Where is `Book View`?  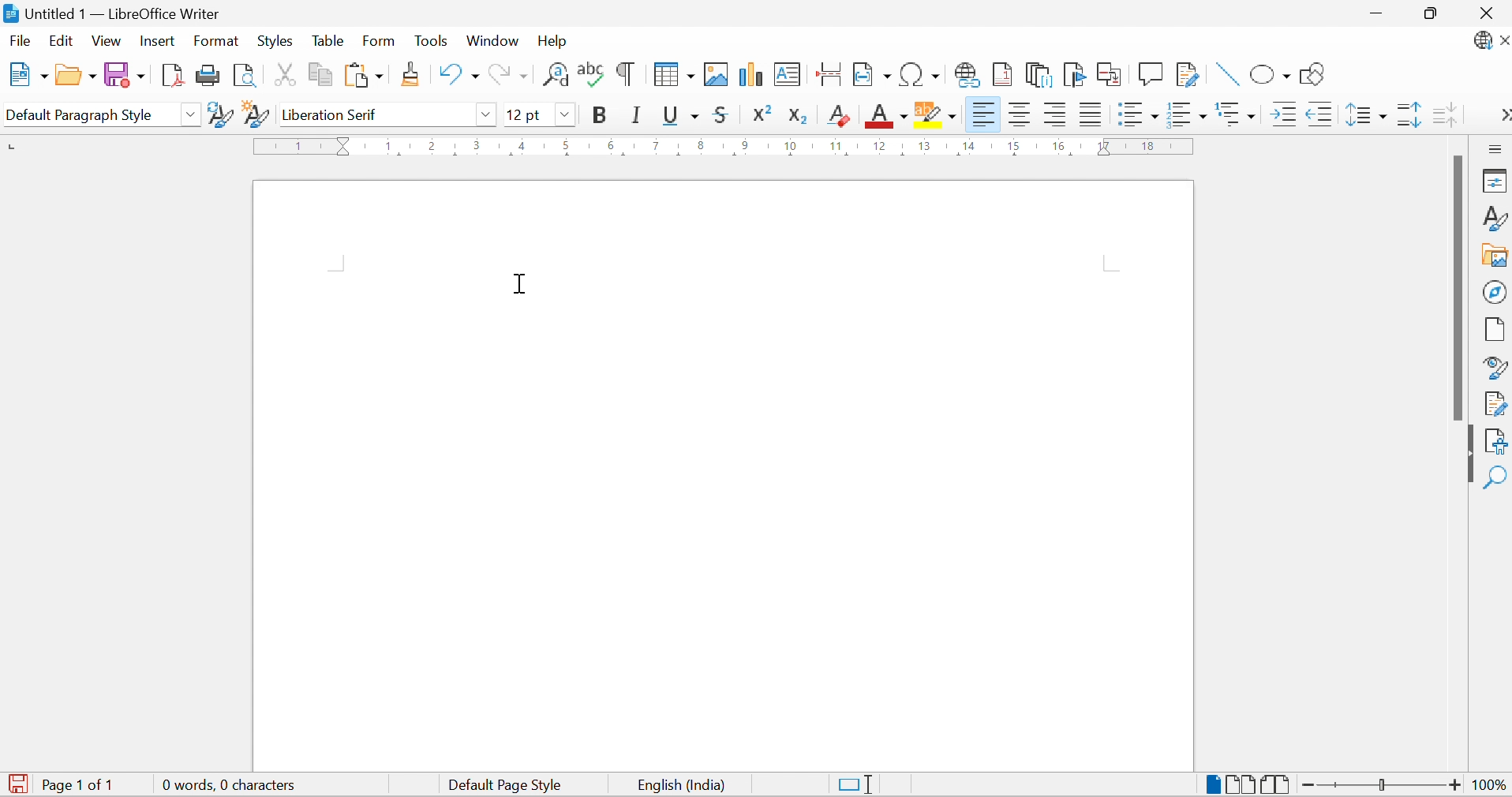
Book View is located at coordinates (1277, 784).